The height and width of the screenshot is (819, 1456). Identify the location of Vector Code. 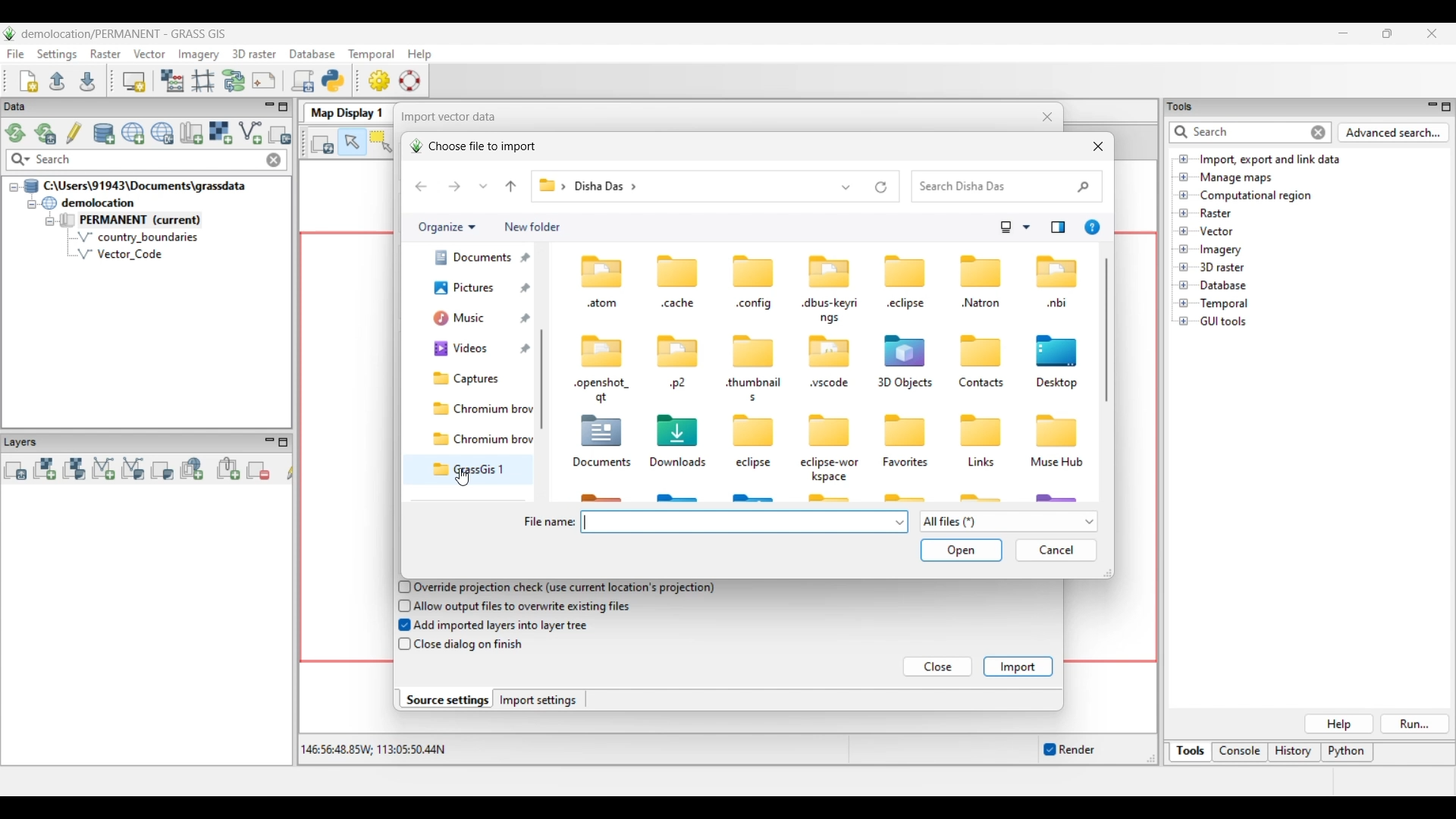
(128, 253).